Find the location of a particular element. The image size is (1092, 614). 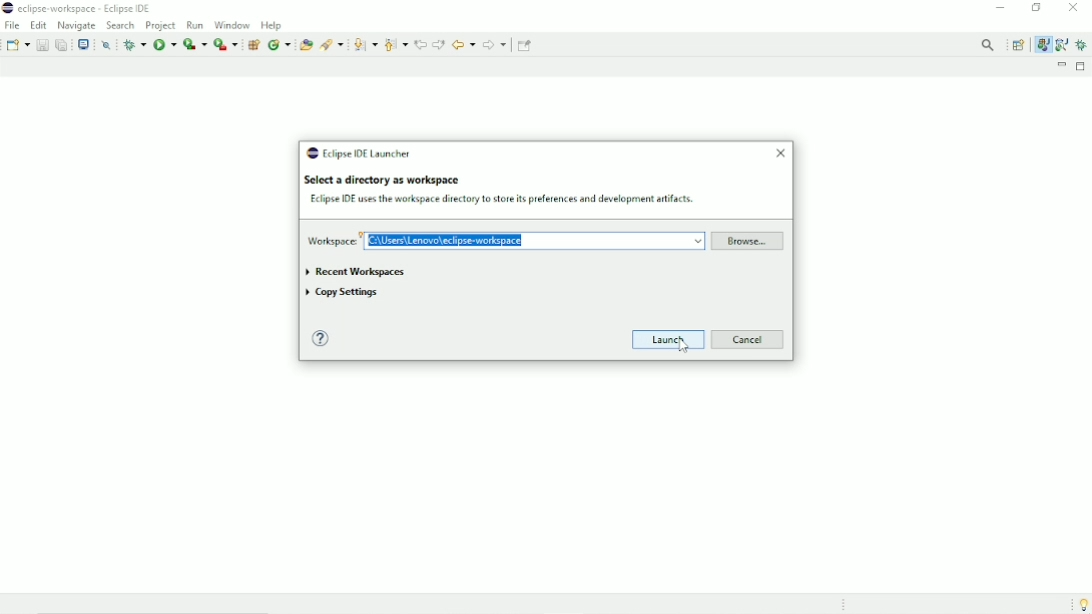

Help is located at coordinates (273, 25).